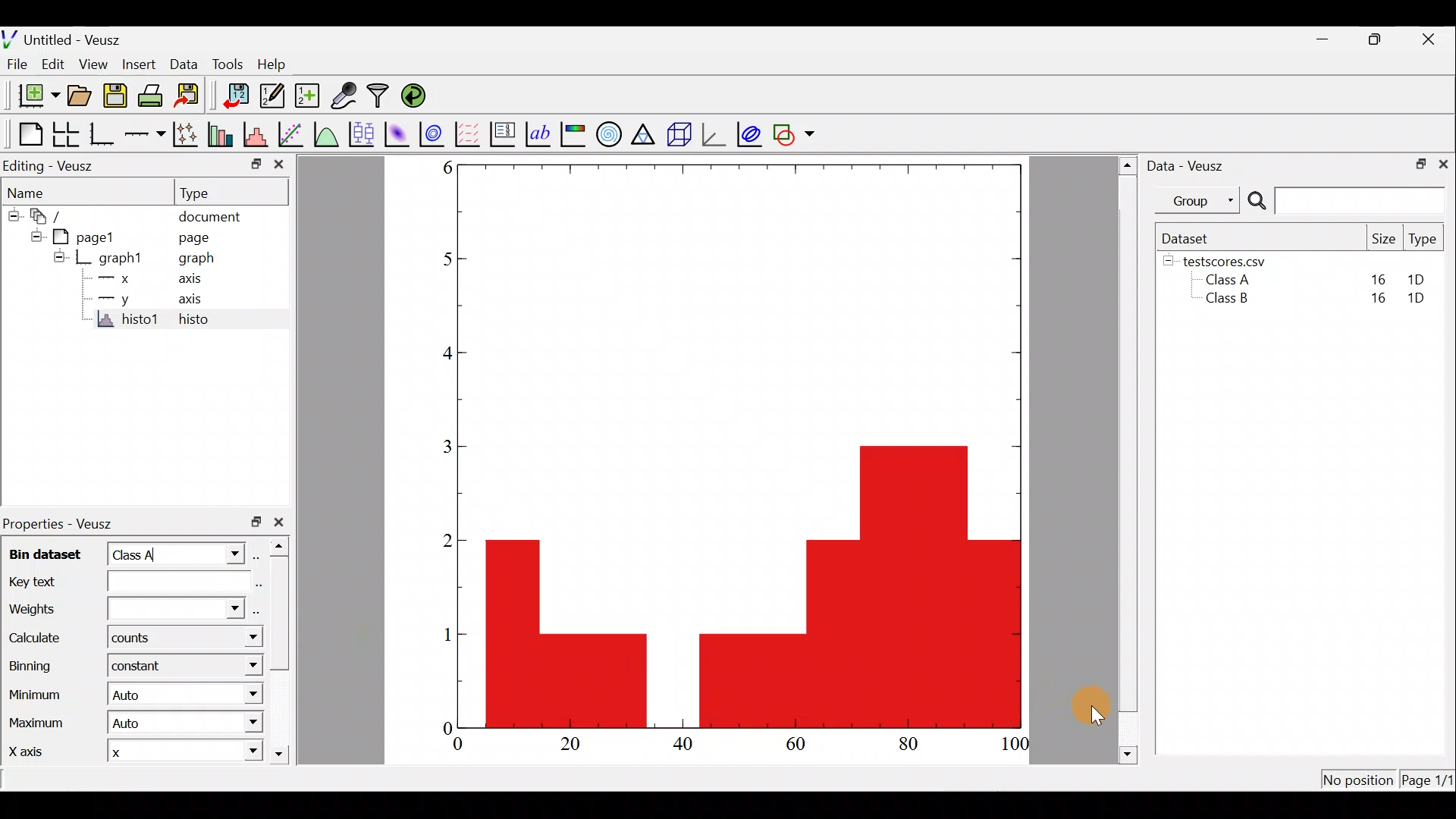  Describe the element at coordinates (573, 134) in the screenshot. I see `Image color bar` at that location.